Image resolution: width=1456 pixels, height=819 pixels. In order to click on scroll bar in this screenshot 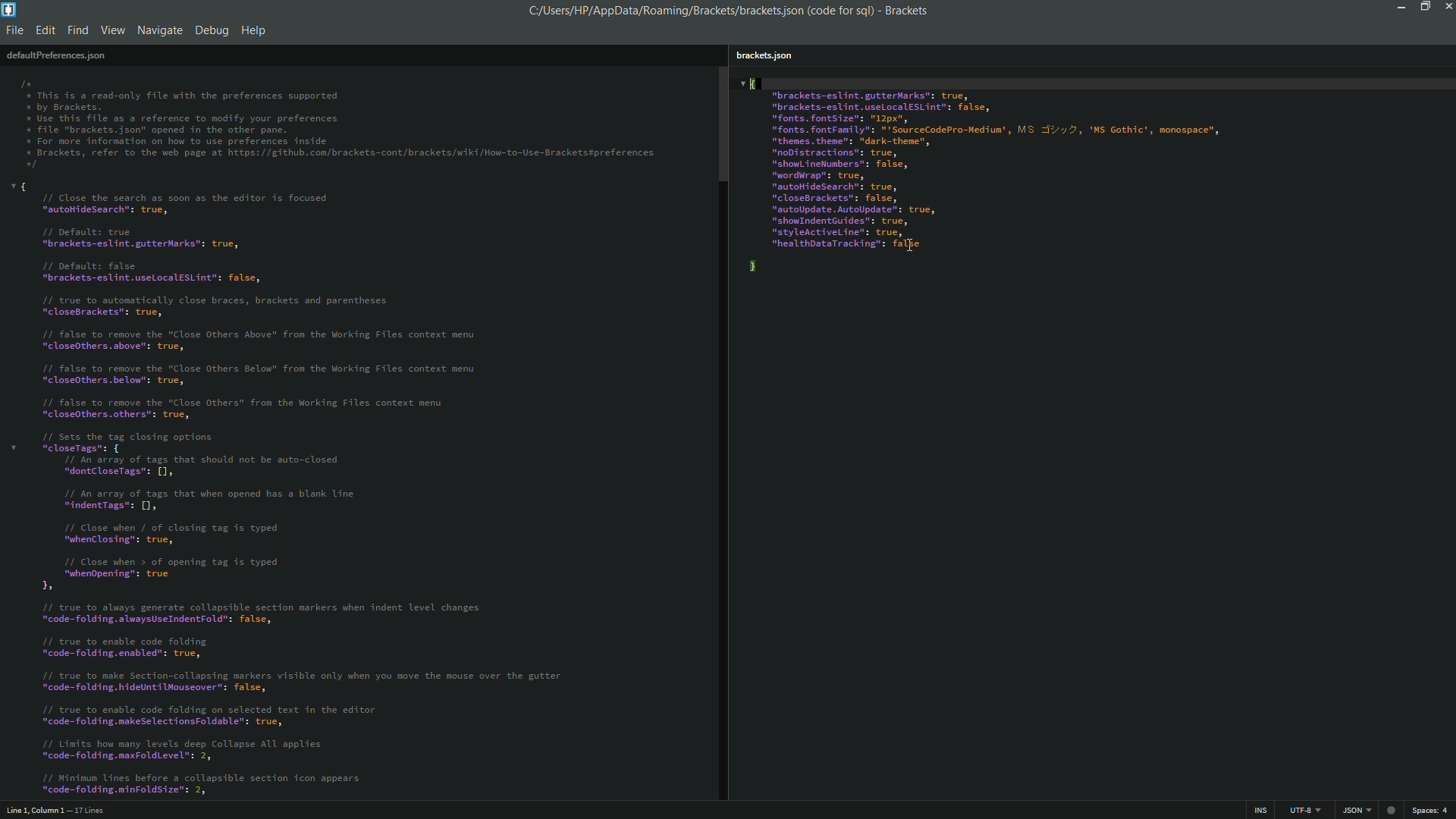, I will do `click(722, 433)`.